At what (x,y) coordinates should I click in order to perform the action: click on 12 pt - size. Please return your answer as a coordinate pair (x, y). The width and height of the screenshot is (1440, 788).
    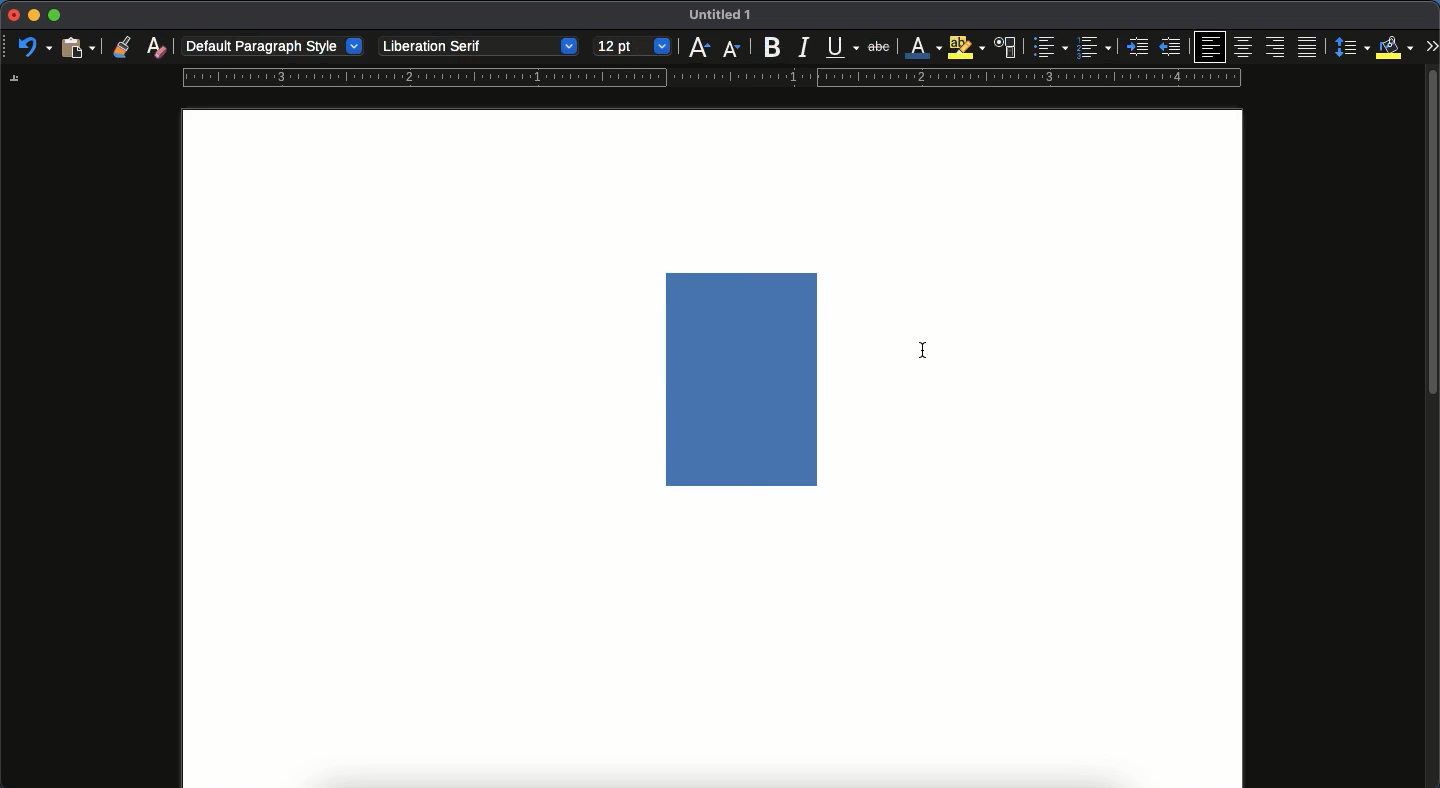
    Looking at the image, I should click on (631, 47).